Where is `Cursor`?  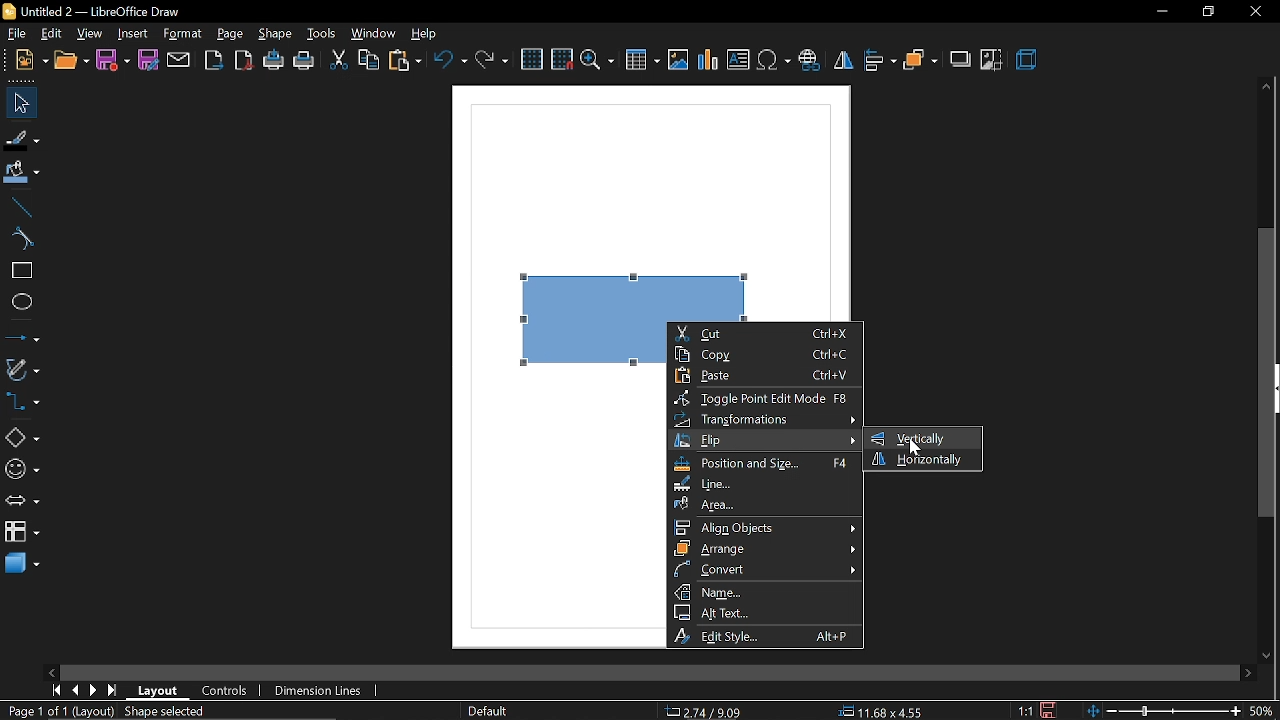
Cursor is located at coordinates (915, 447).